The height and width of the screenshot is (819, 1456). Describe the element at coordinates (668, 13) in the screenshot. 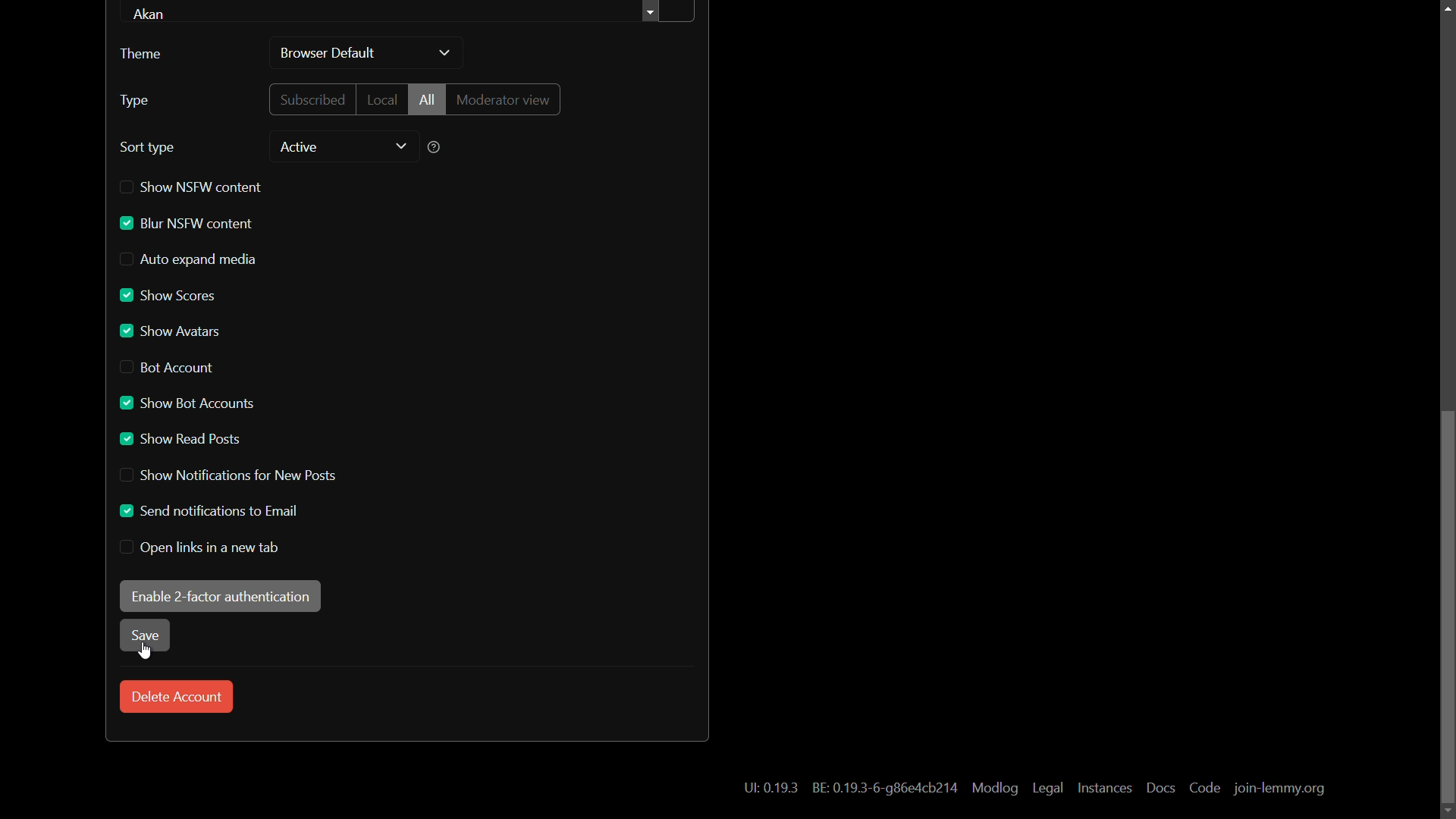

I see `menu` at that location.